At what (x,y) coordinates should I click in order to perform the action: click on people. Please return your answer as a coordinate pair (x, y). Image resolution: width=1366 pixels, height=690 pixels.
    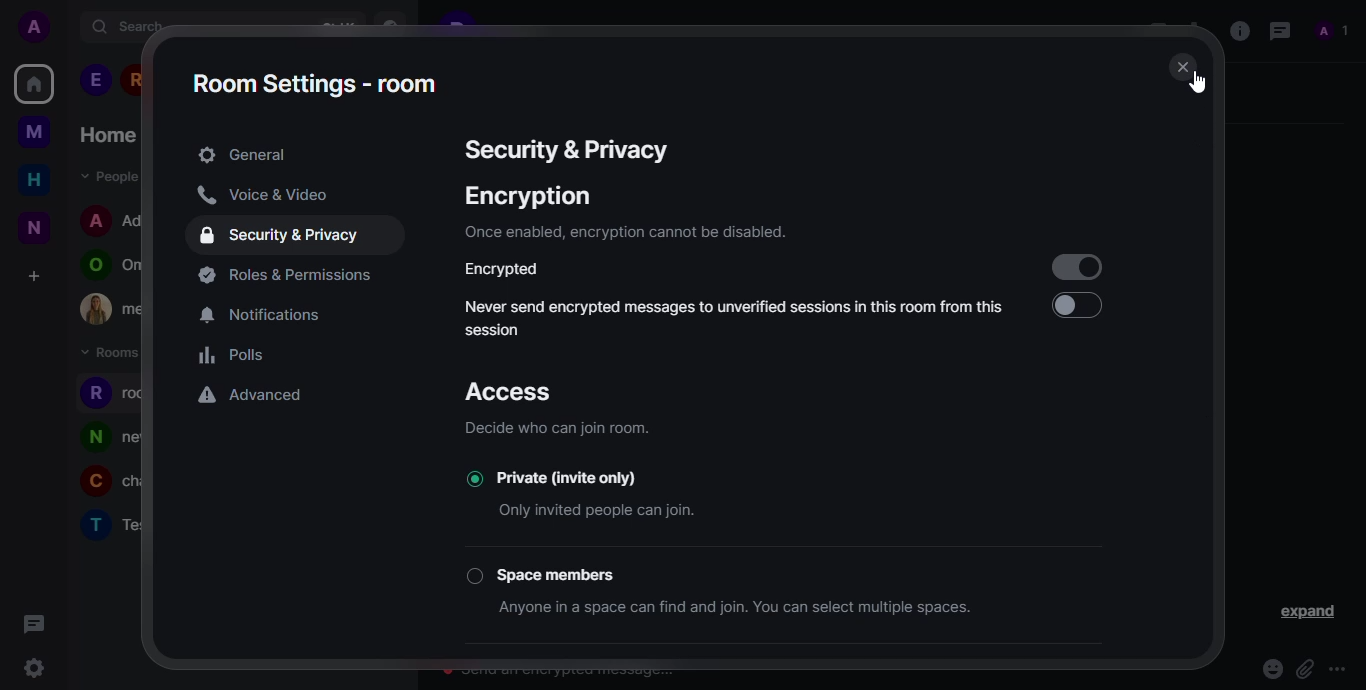
    Looking at the image, I should click on (1333, 31).